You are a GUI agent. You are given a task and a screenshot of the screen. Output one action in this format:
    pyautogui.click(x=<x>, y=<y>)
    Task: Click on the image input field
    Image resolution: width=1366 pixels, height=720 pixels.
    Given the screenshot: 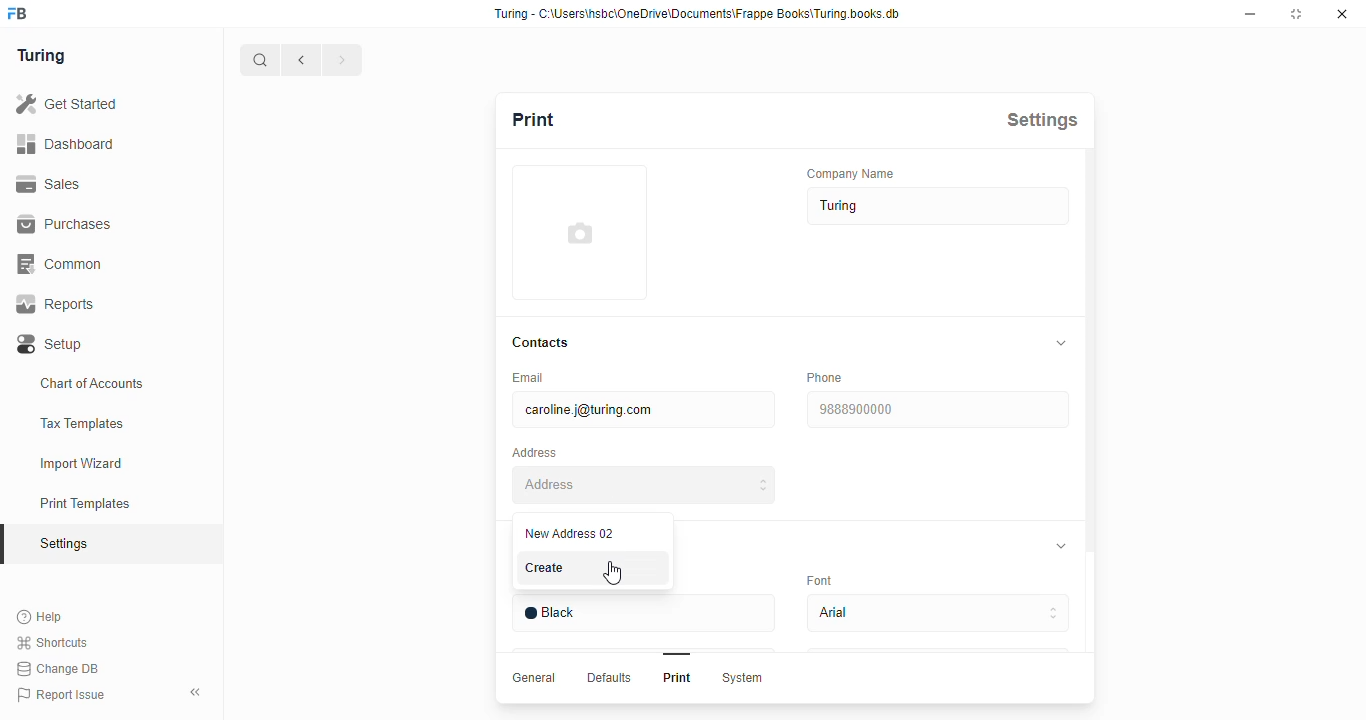 What is the action you would take?
    pyautogui.click(x=580, y=232)
    